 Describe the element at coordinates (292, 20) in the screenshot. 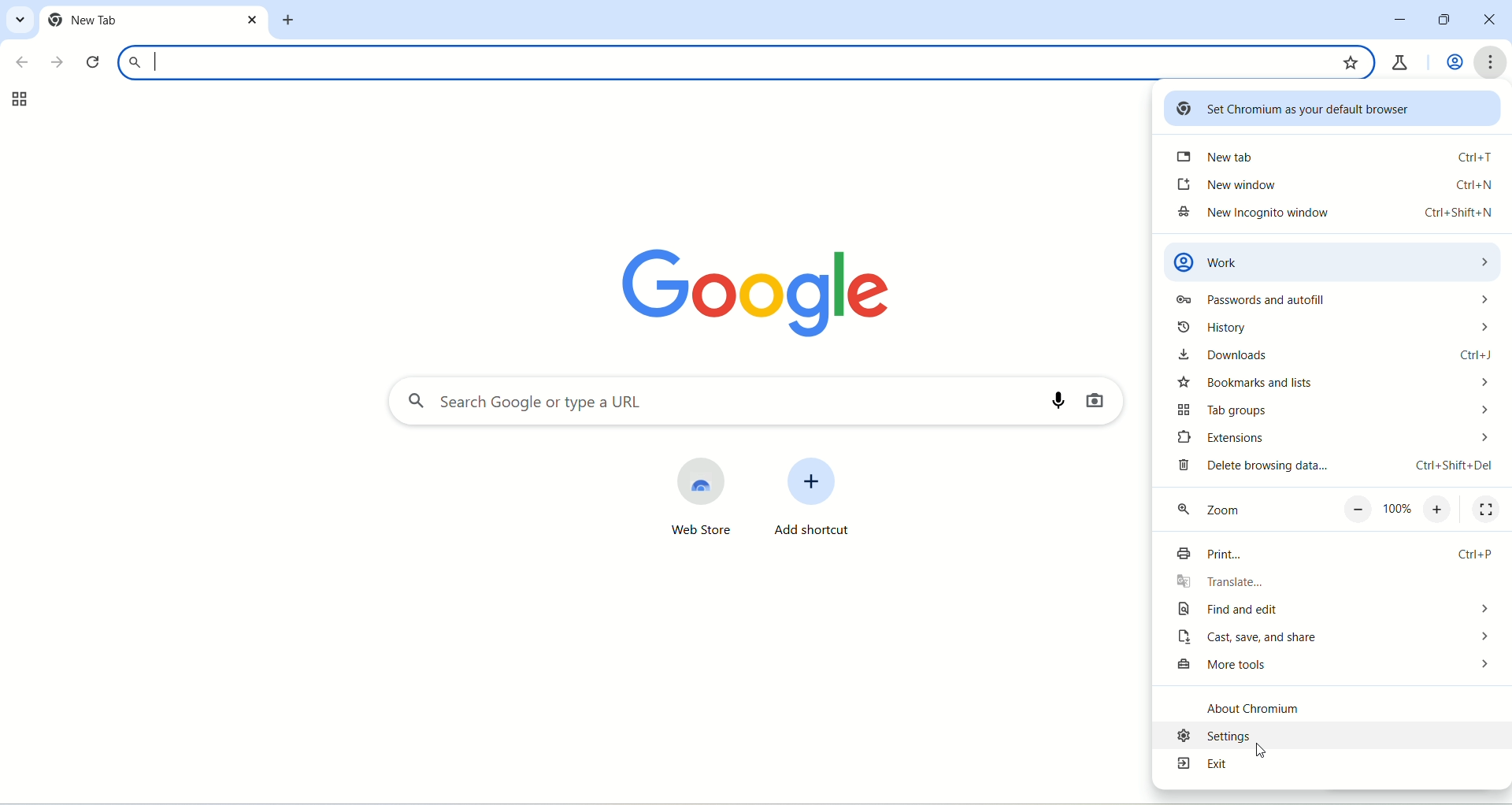

I see `new tab` at that location.